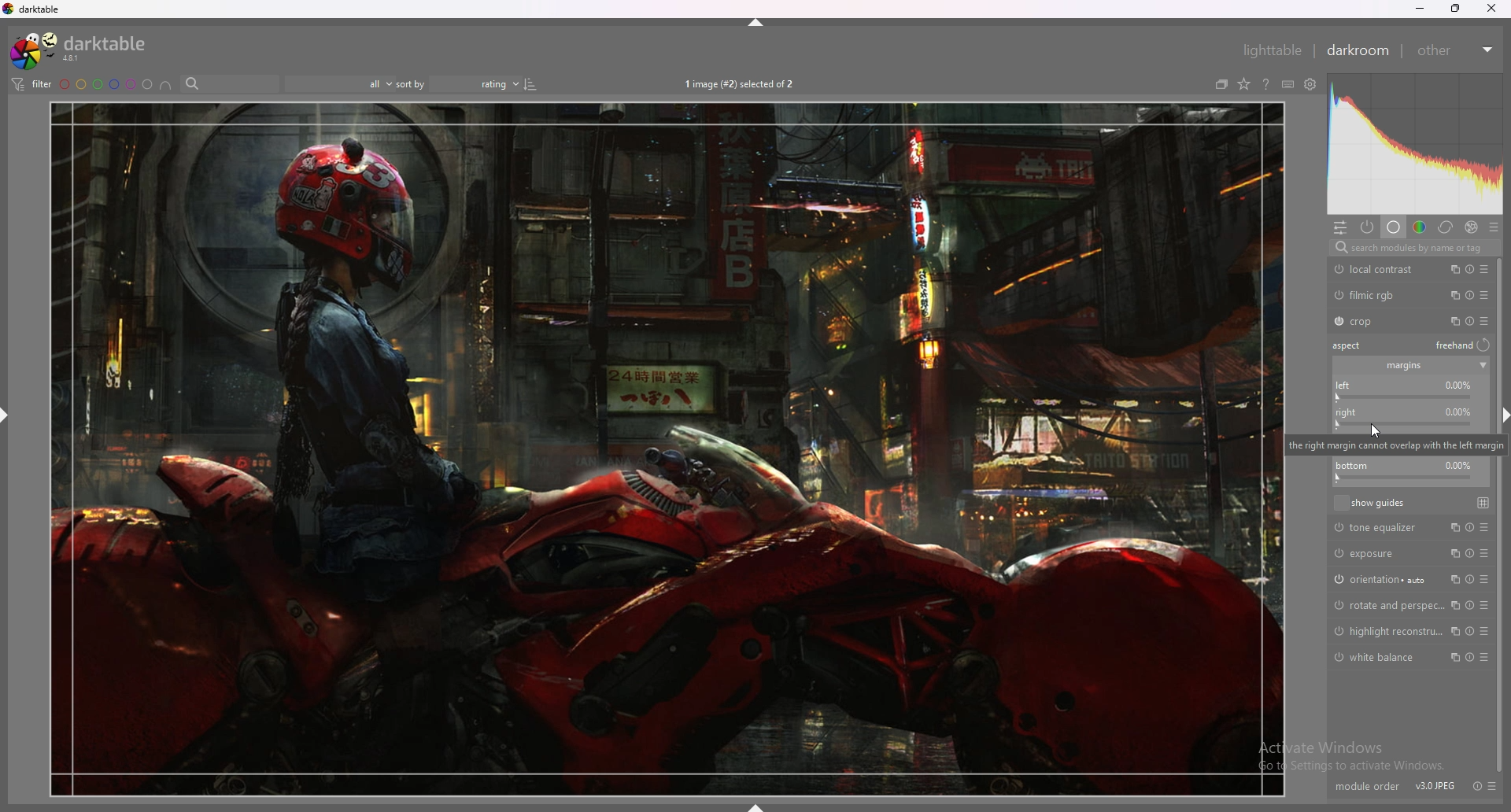 This screenshot has width=1511, height=812. Describe the element at coordinates (1485, 580) in the screenshot. I see `presets` at that location.